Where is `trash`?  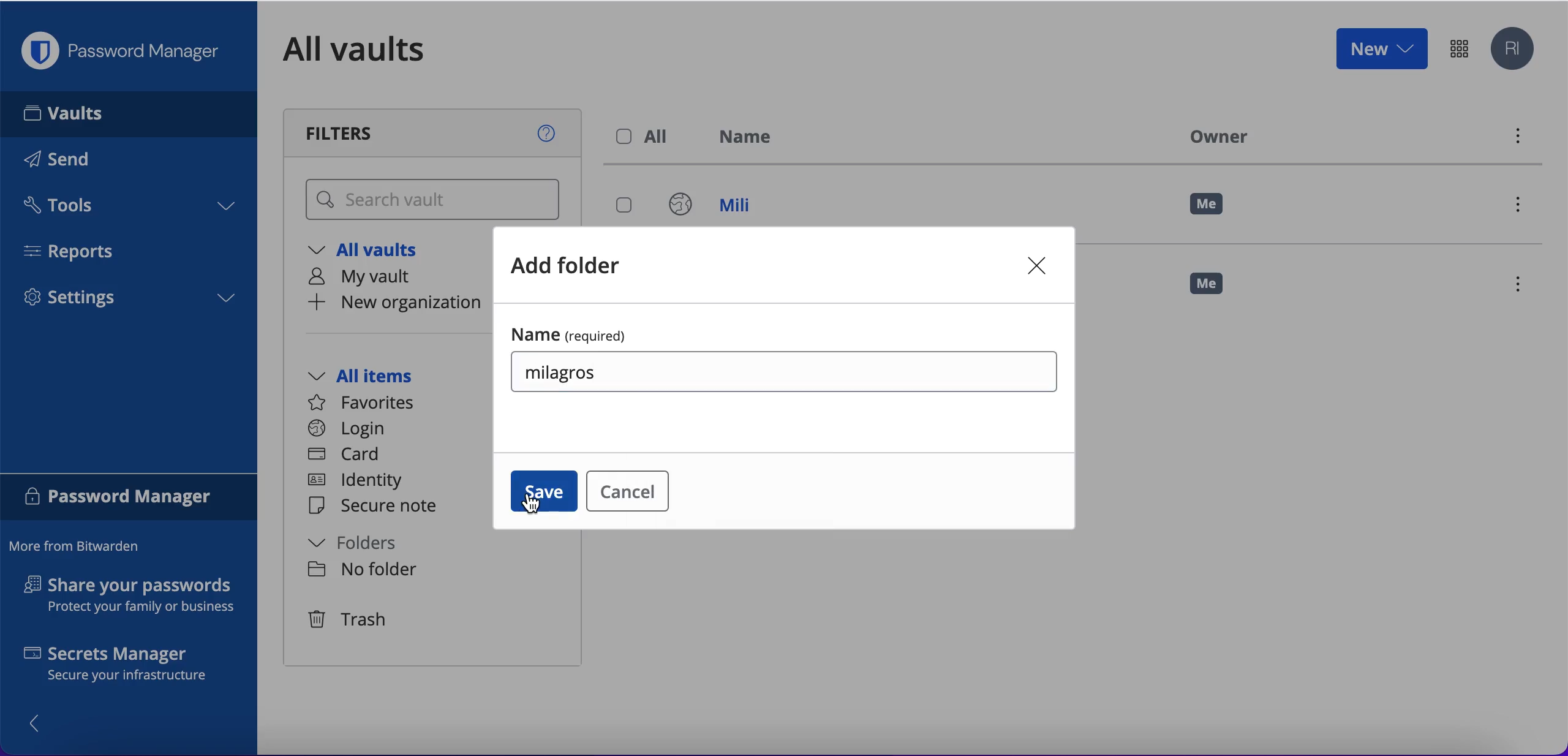
trash is located at coordinates (350, 621).